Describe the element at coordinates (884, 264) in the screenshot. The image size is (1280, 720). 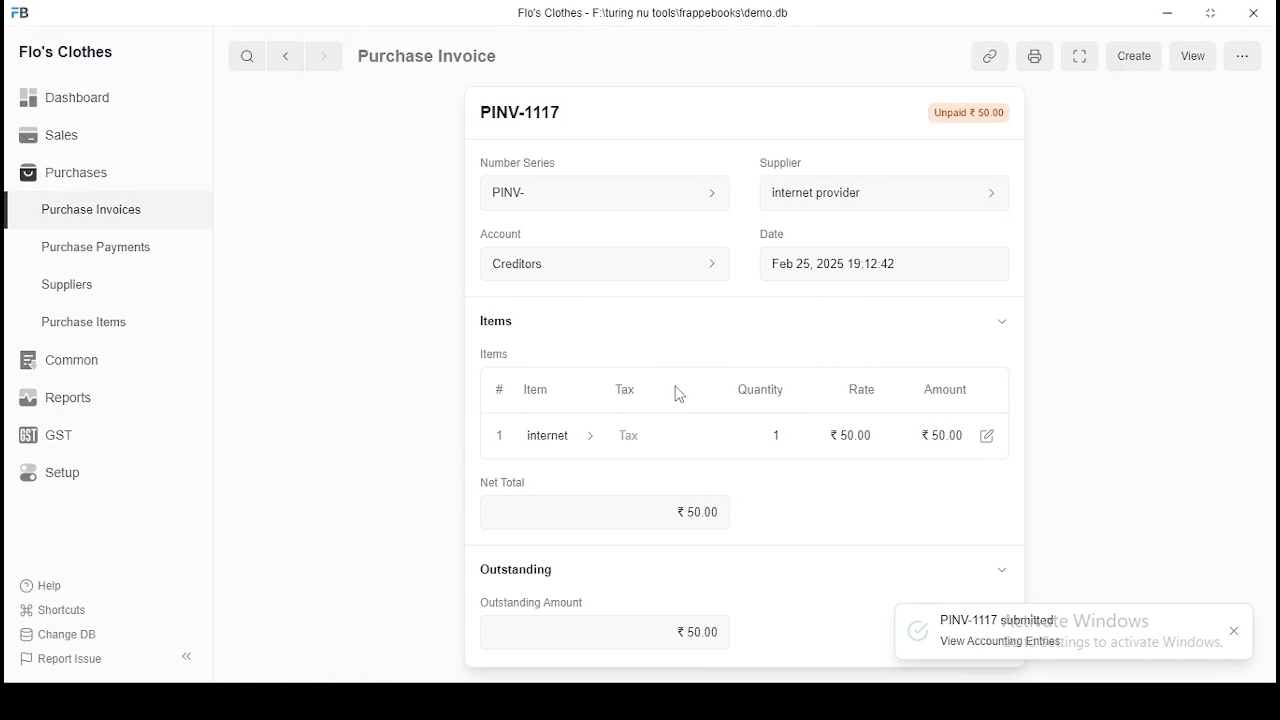
I see `feb 25, 2025 19:12:42` at that location.